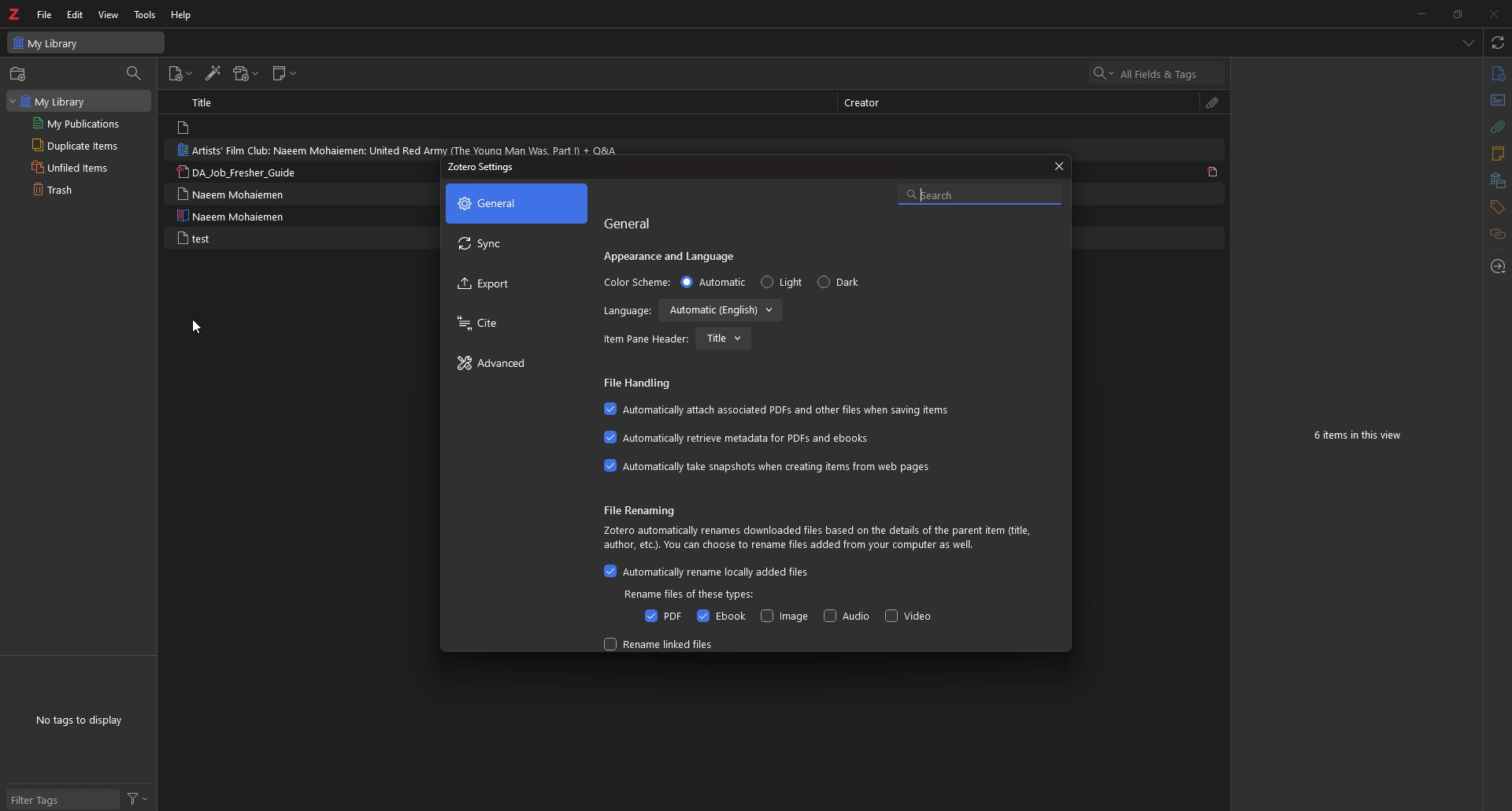 This screenshot has width=1512, height=811. I want to click on general, so click(516, 203).